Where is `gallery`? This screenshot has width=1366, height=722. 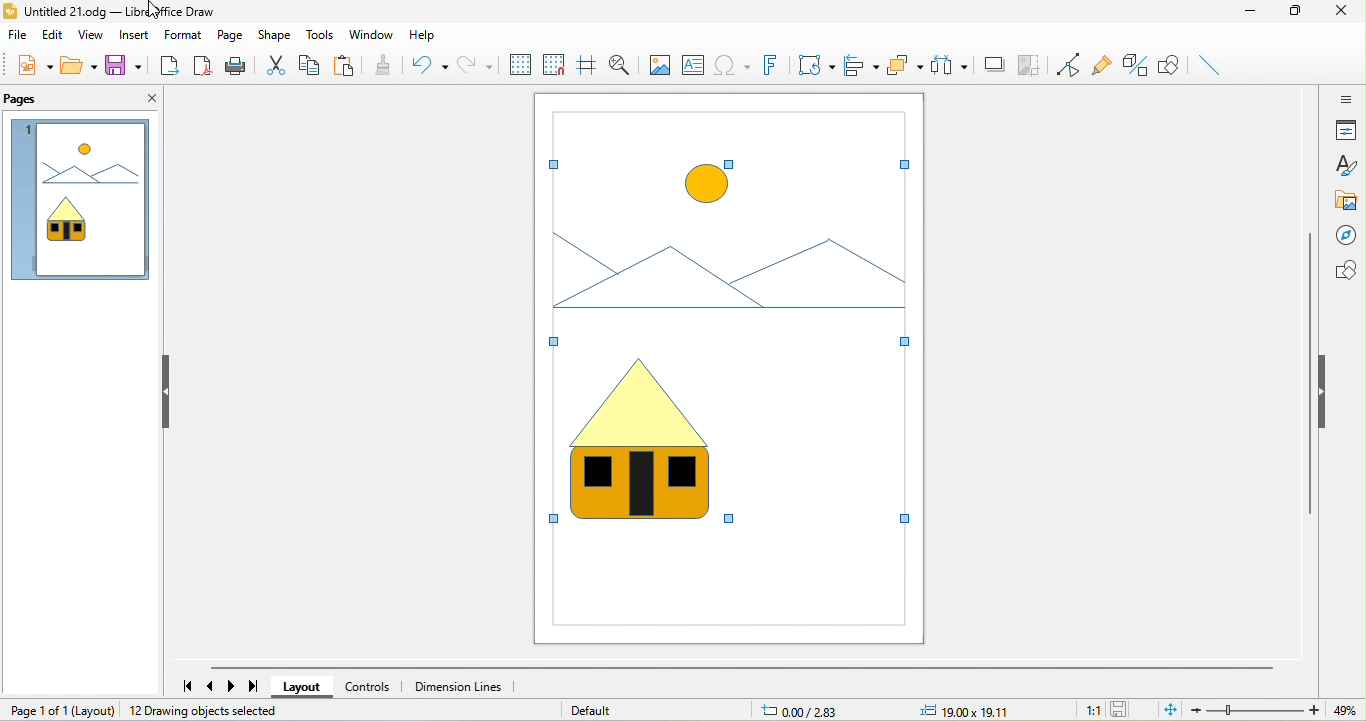 gallery is located at coordinates (1344, 201).